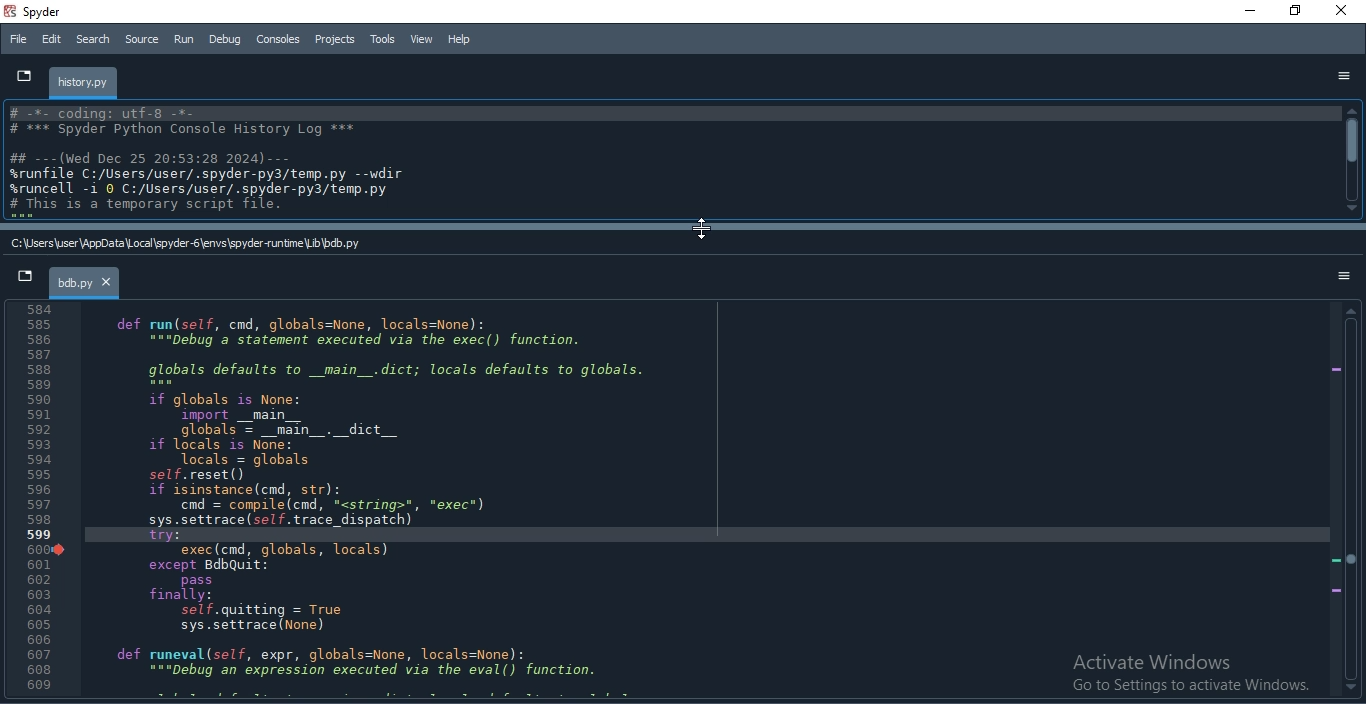 This screenshot has height=704, width=1366. Describe the element at coordinates (669, 161) in the screenshot. I see `Adjusted window` at that location.